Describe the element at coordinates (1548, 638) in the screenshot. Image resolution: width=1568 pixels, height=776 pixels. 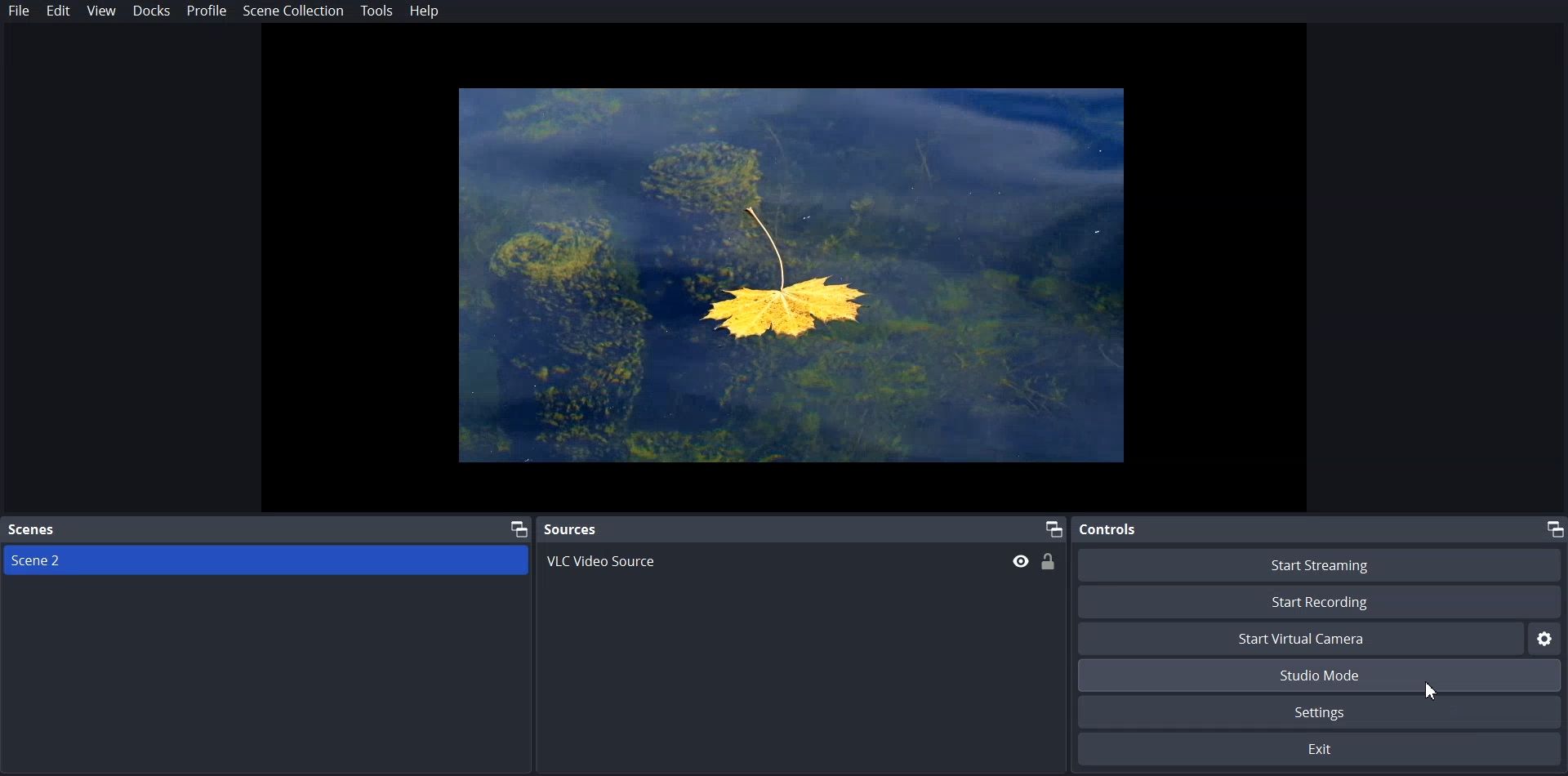
I see `Settings` at that location.